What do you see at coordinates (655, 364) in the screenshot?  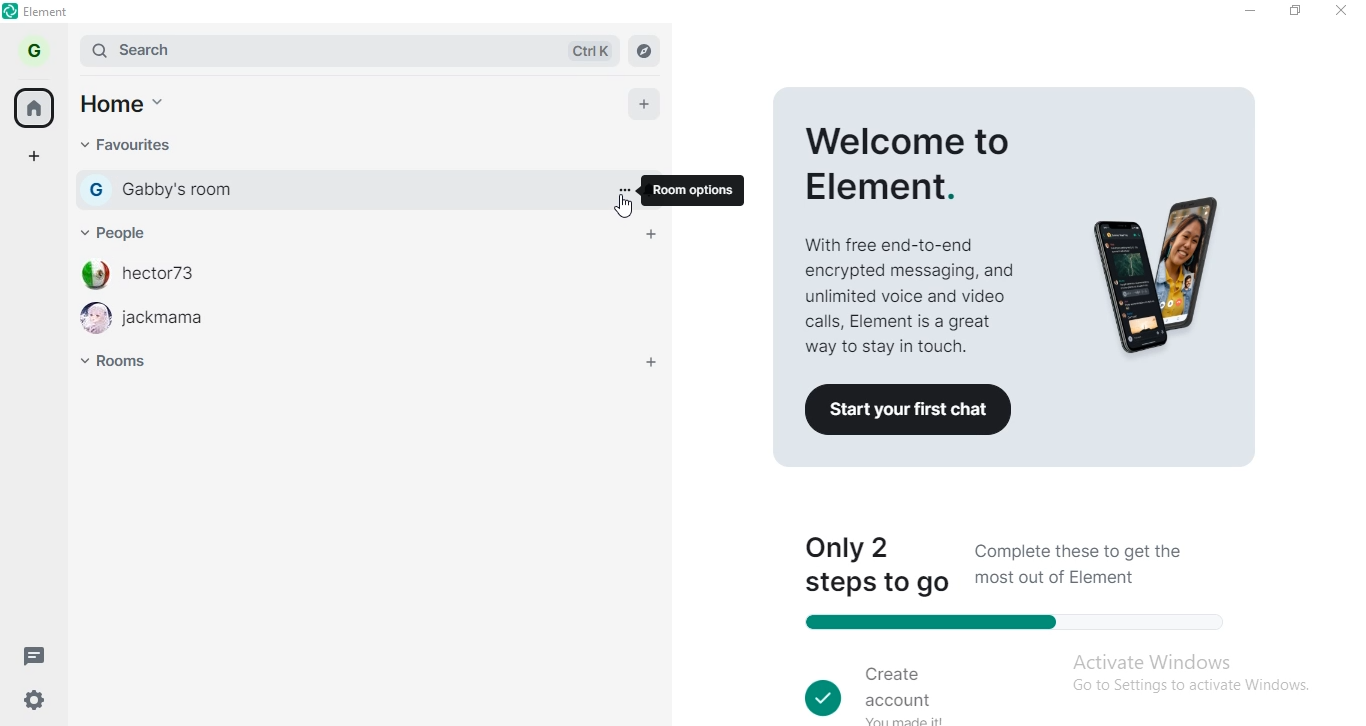 I see `add room` at bounding box center [655, 364].